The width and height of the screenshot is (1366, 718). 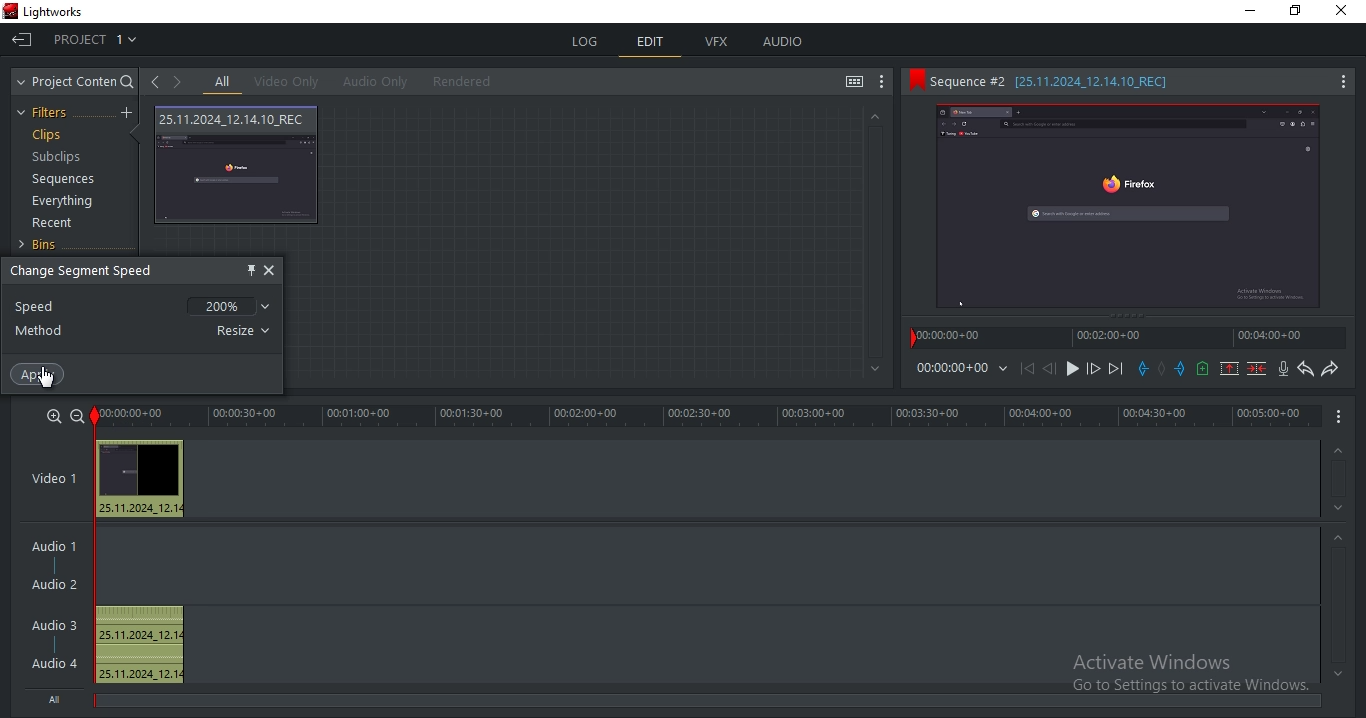 What do you see at coordinates (783, 42) in the screenshot?
I see `audio` at bounding box center [783, 42].